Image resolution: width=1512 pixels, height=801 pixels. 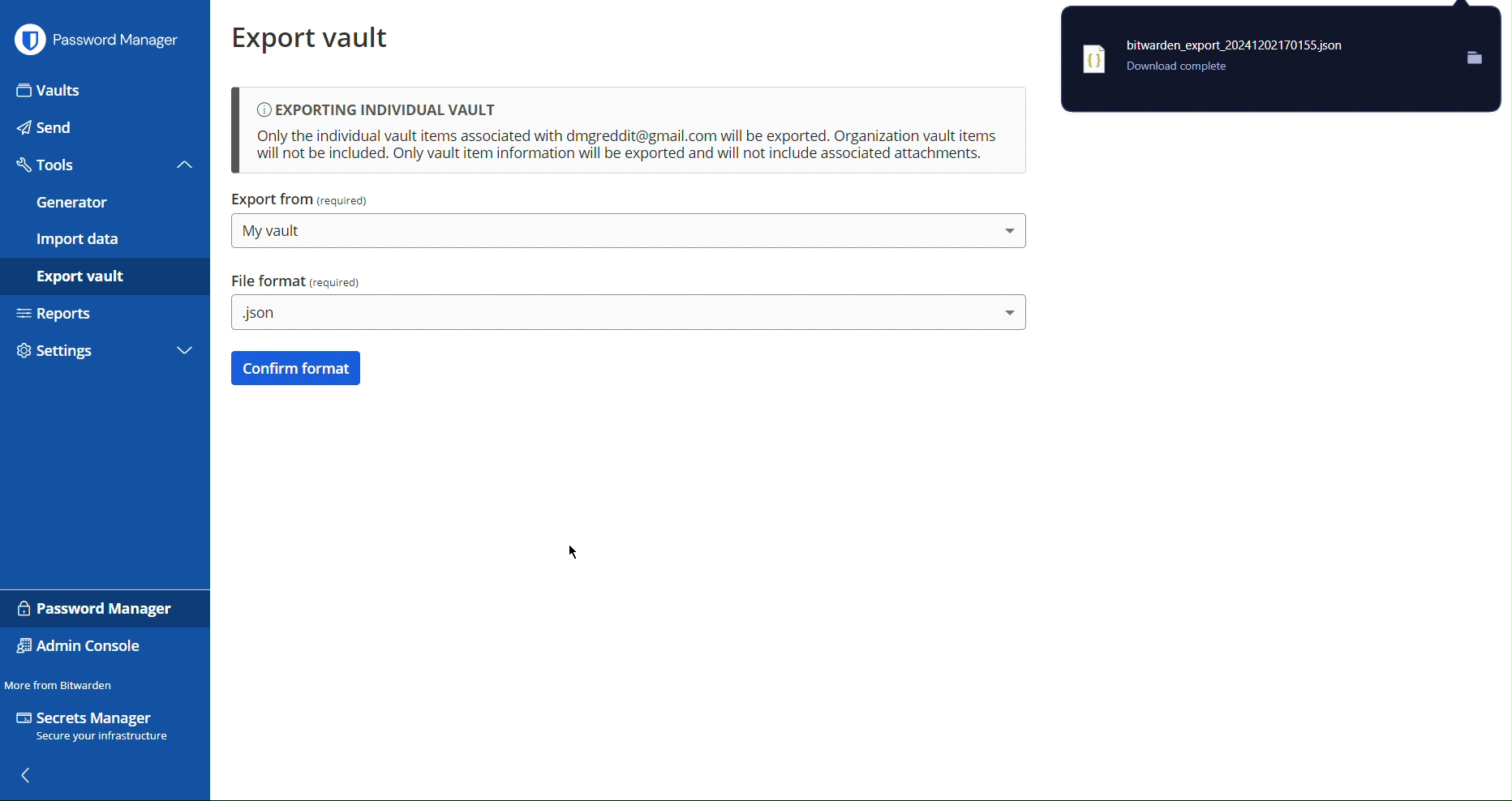 I want to click on .json, so click(x=626, y=314).